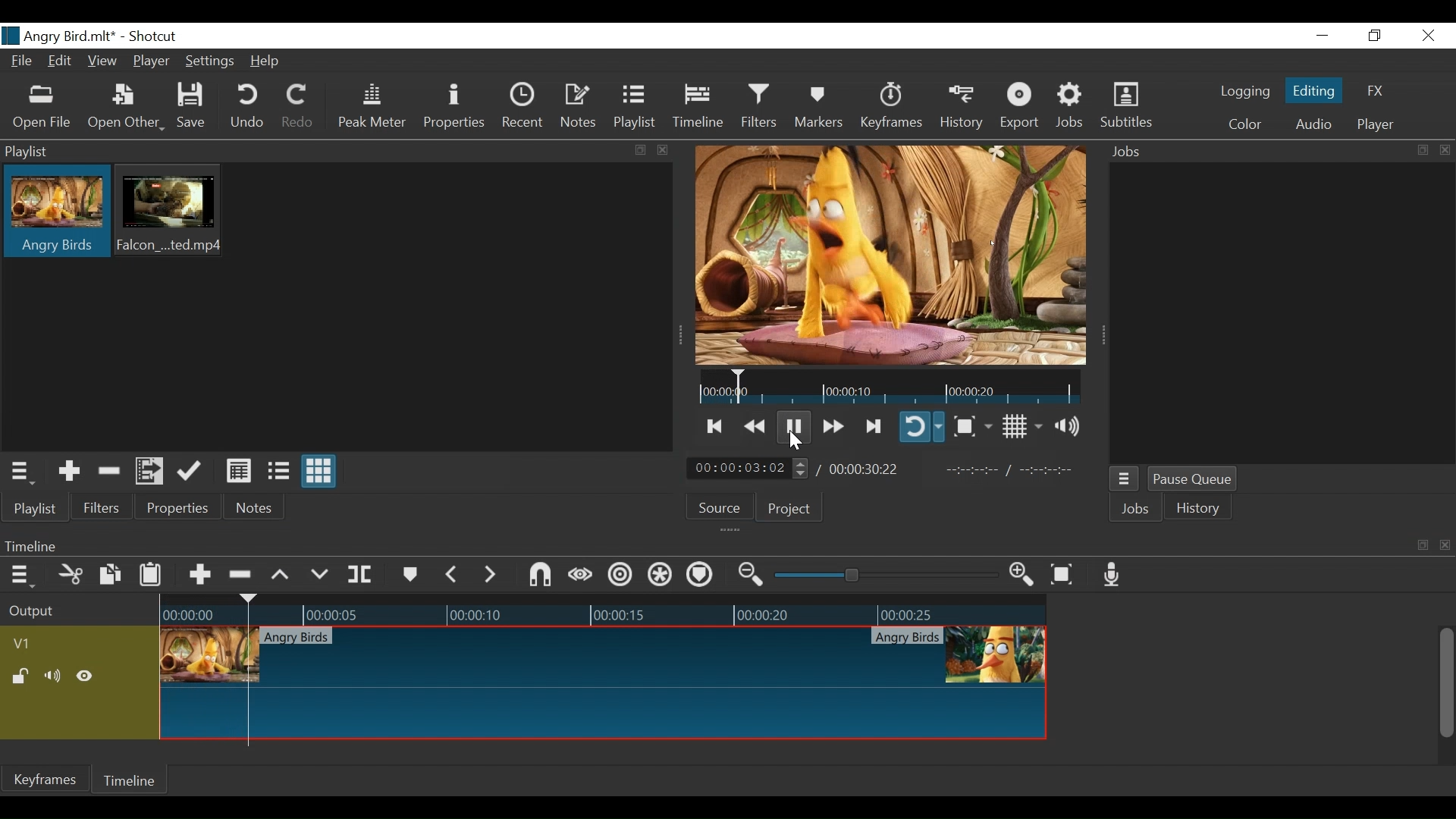 Image resolution: width=1456 pixels, height=819 pixels. What do you see at coordinates (1128, 107) in the screenshot?
I see `Subtitles` at bounding box center [1128, 107].